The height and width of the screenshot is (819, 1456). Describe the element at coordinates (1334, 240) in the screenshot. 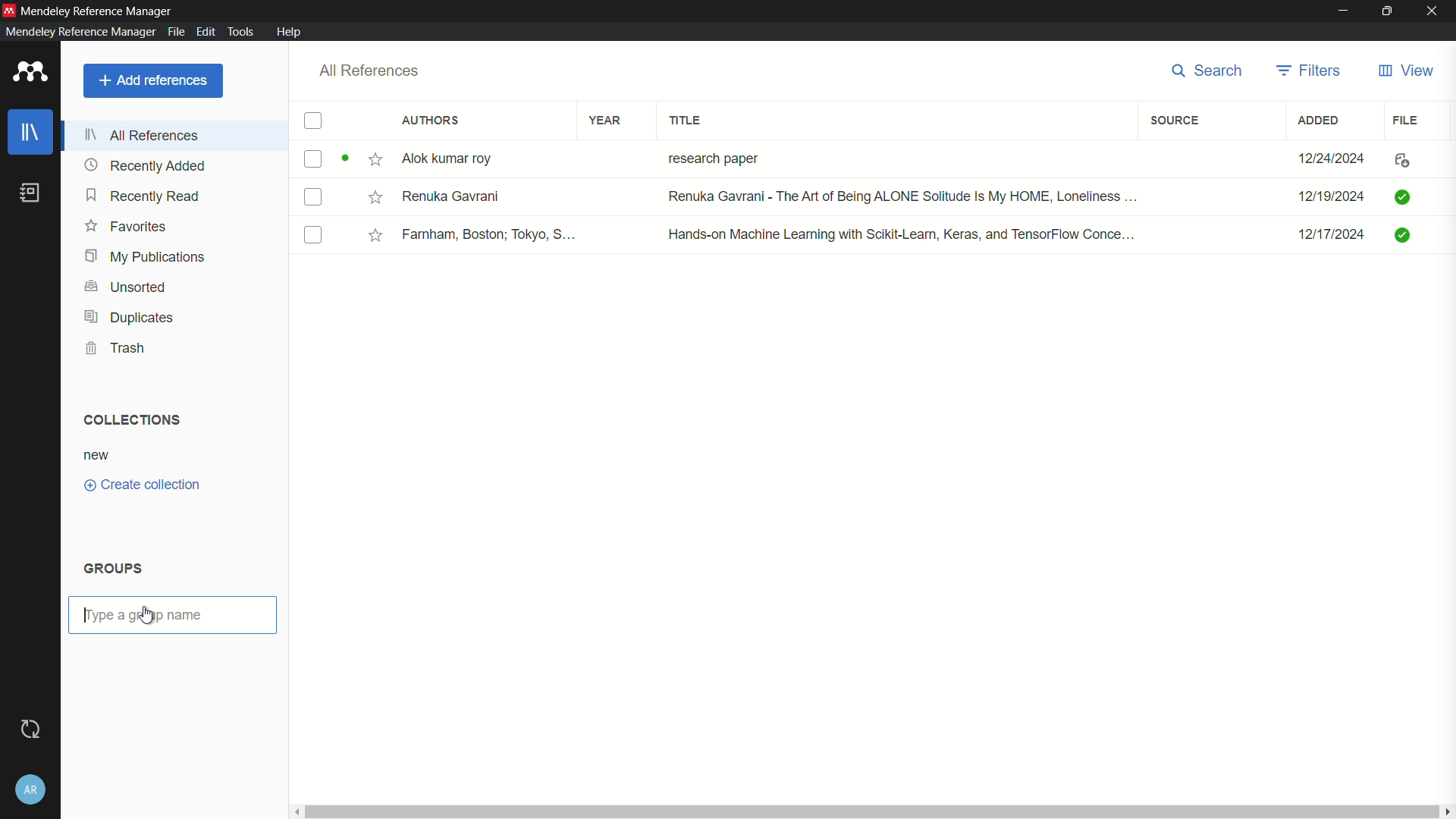

I see `Date` at that location.